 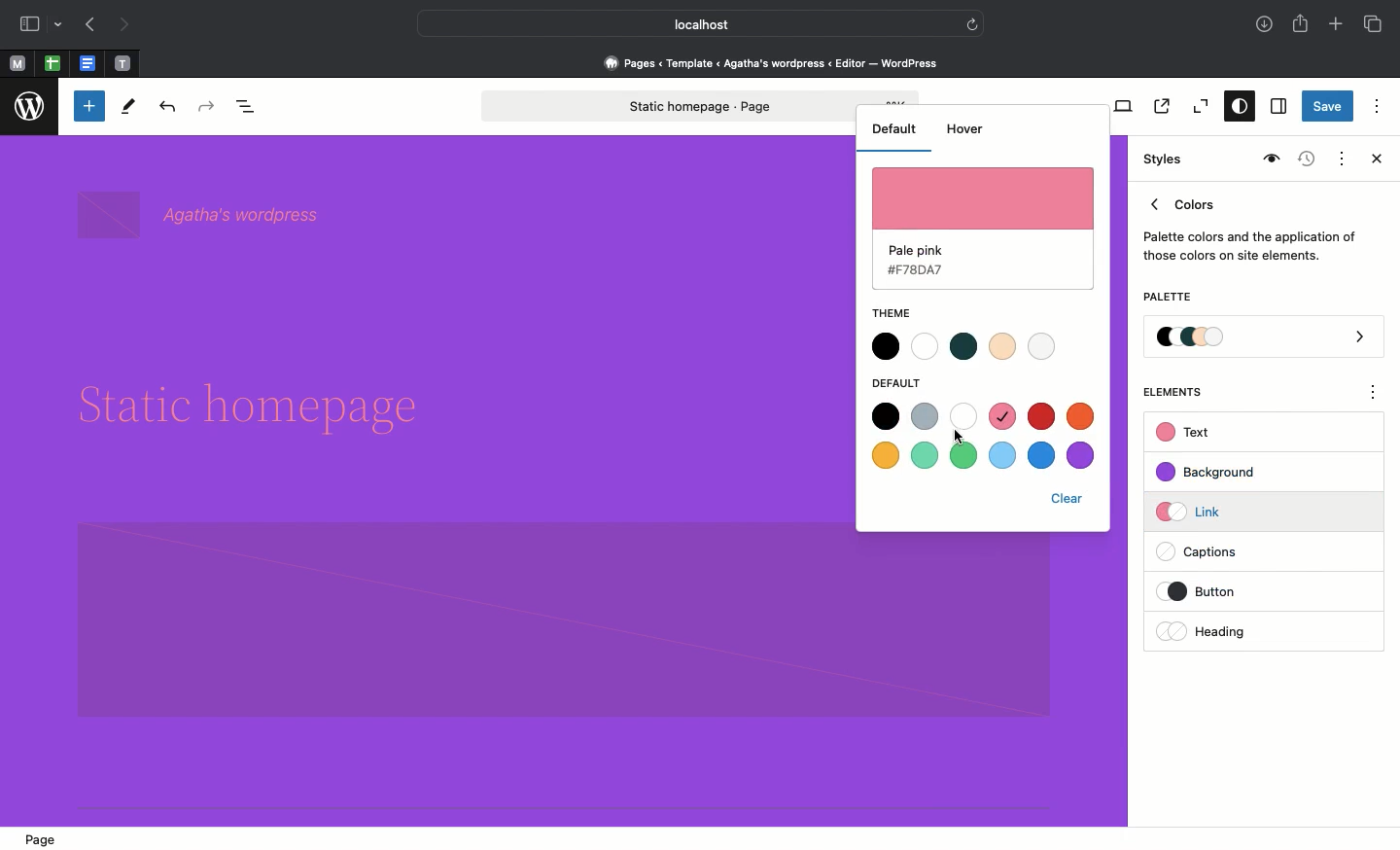 I want to click on Toggle blocker, so click(x=89, y=106).